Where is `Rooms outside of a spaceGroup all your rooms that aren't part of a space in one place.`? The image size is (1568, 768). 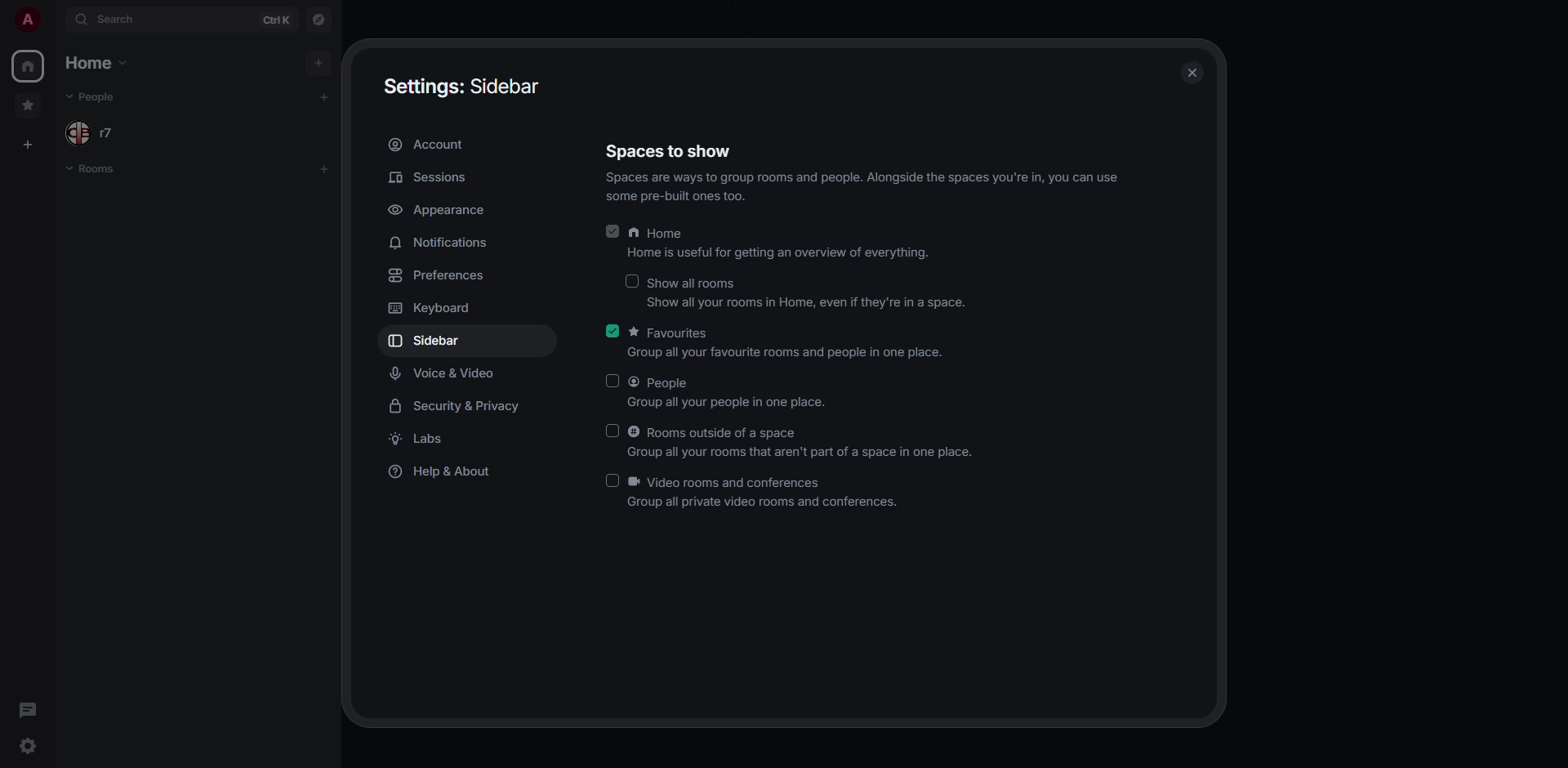
Rooms outside of a spaceGroup all your rooms that aren't part of a space in one place. is located at coordinates (804, 440).